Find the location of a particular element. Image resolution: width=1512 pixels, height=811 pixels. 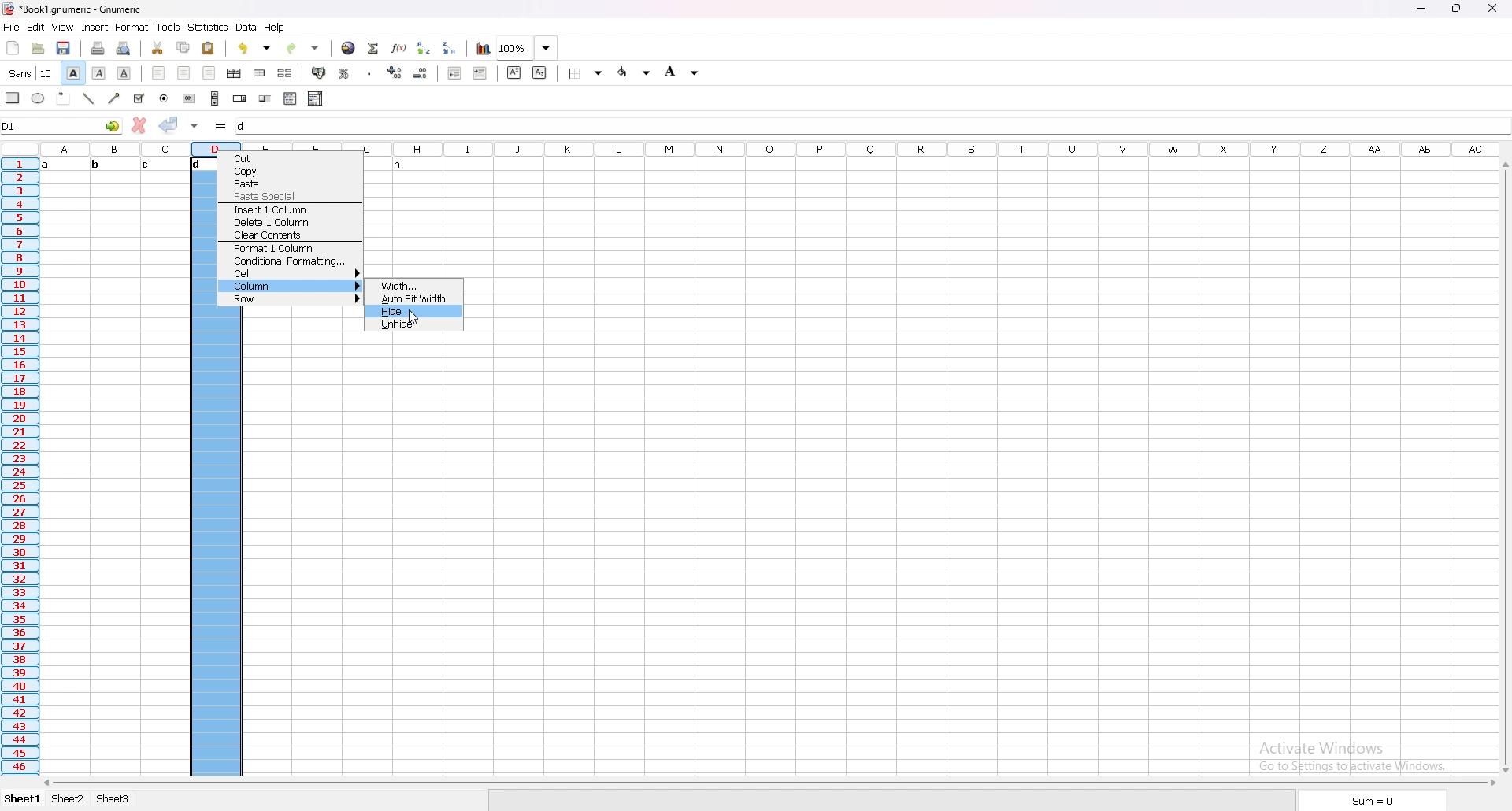

sheet 3 is located at coordinates (113, 800).